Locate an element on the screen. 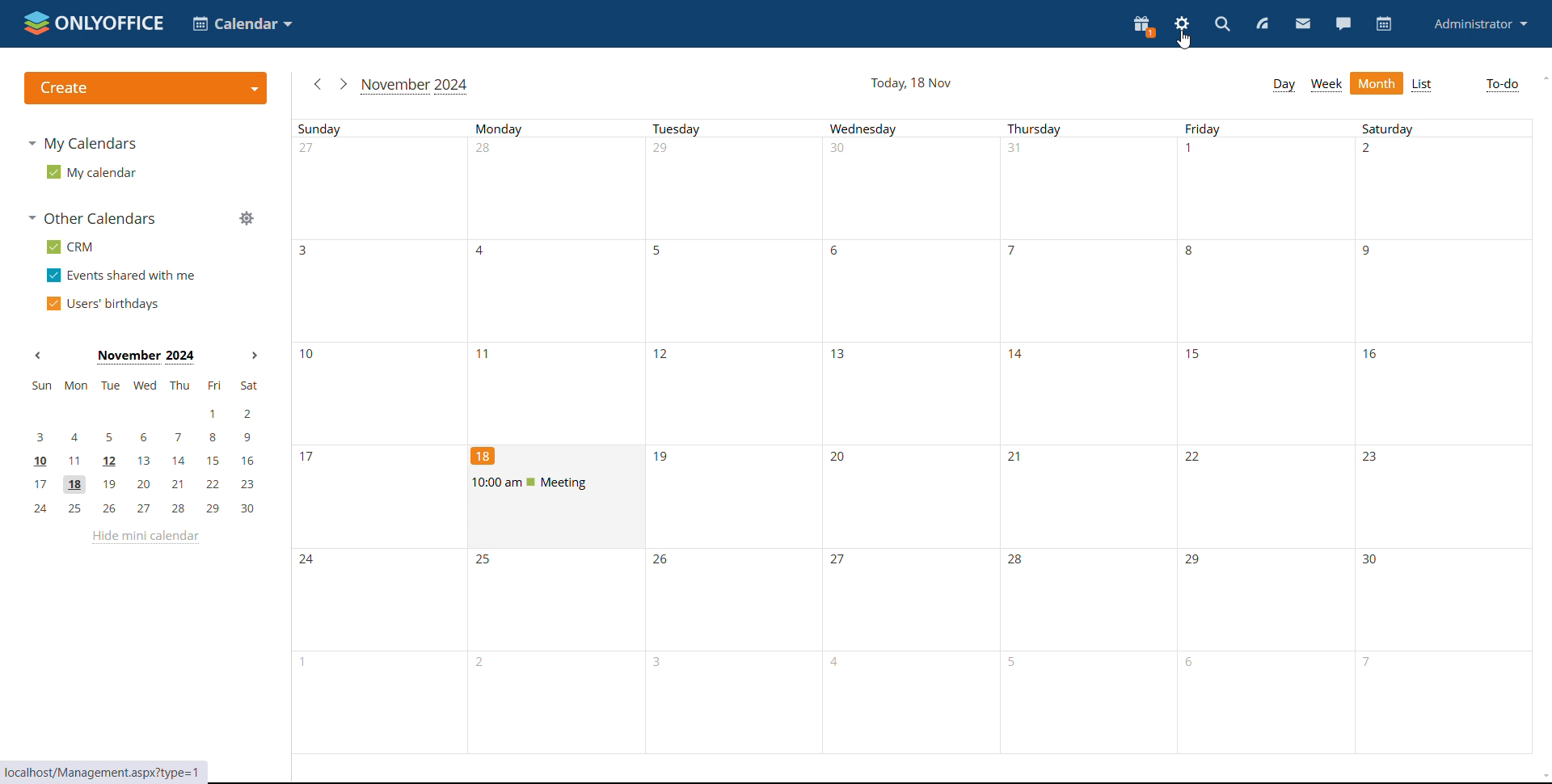  week view is located at coordinates (1326, 83).